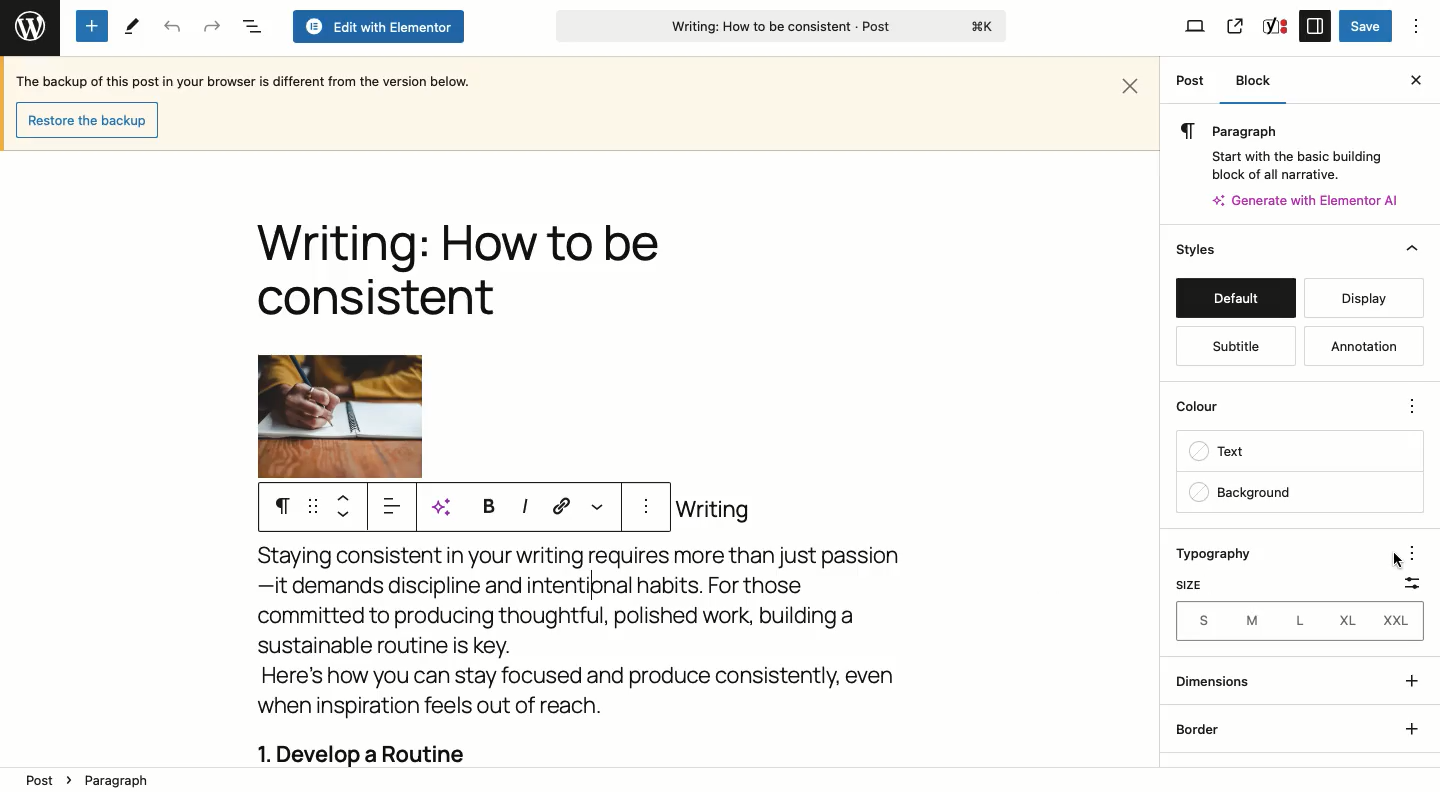 The image size is (1440, 792). What do you see at coordinates (1261, 81) in the screenshot?
I see `Block` at bounding box center [1261, 81].